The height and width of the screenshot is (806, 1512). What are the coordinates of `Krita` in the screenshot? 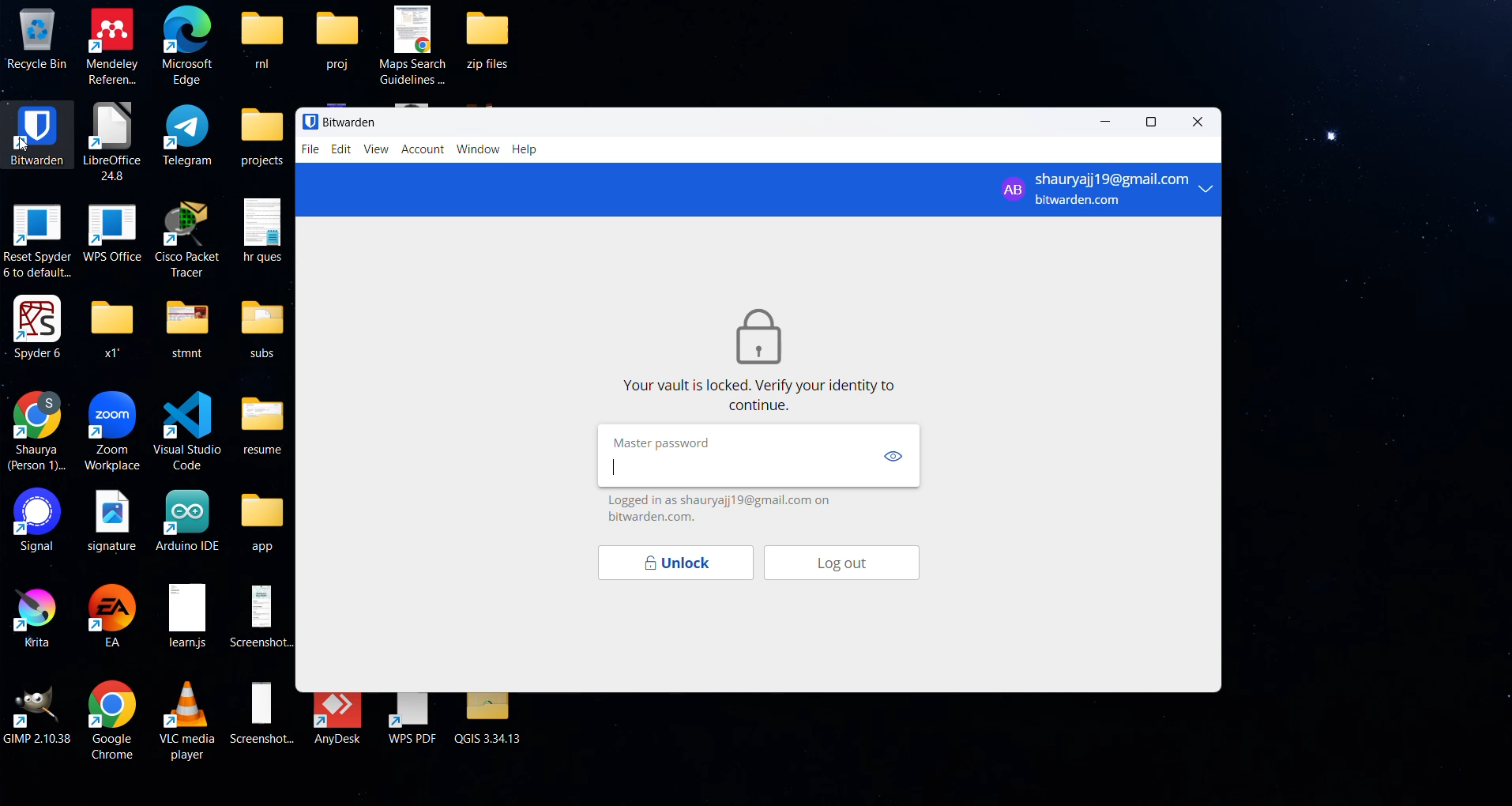 It's located at (32, 615).